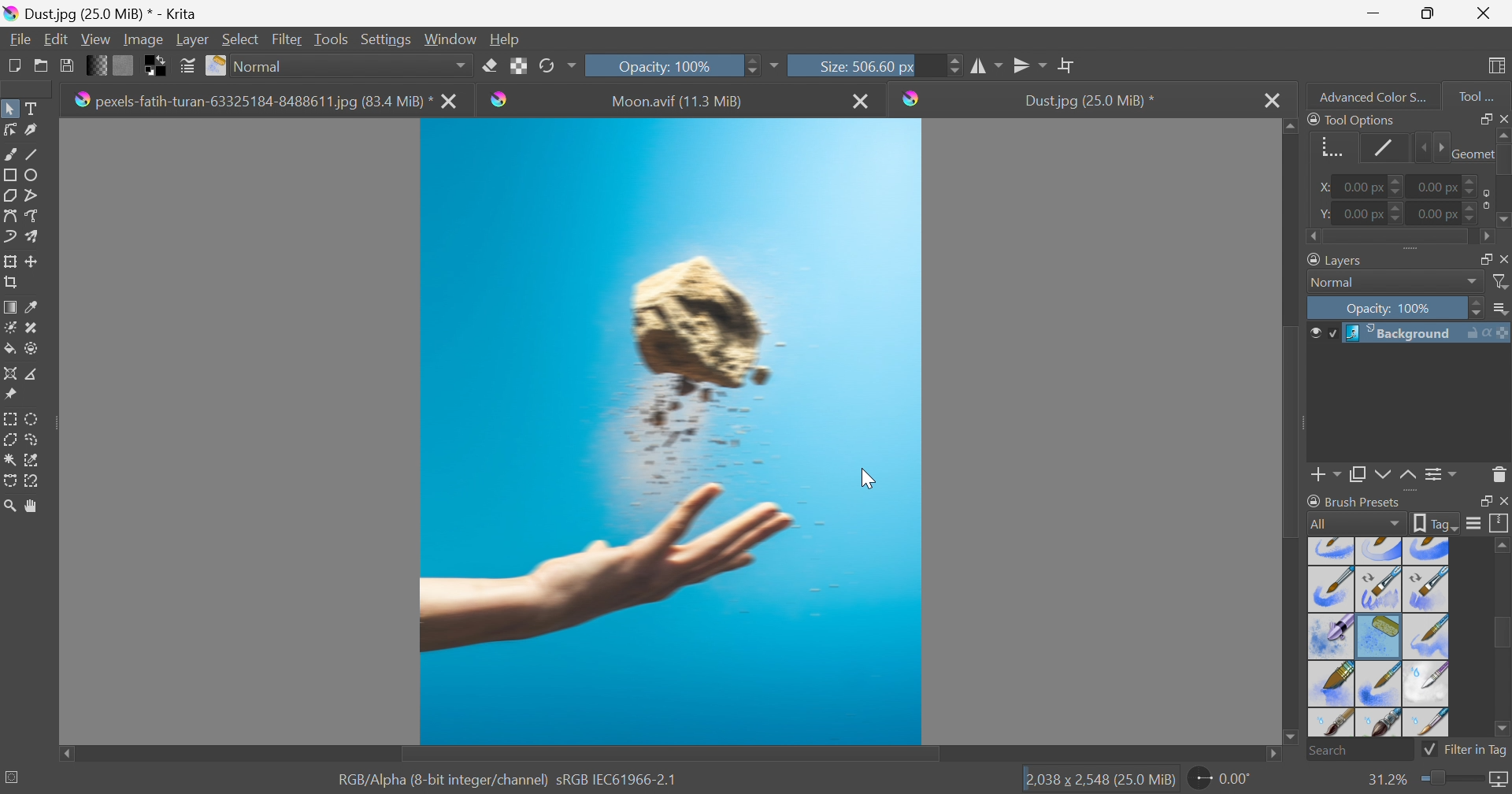 The width and height of the screenshot is (1512, 794). What do you see at coordinates (1272, 100) in the screenshot?
I see `Close` at bounding box center [1272, 100].